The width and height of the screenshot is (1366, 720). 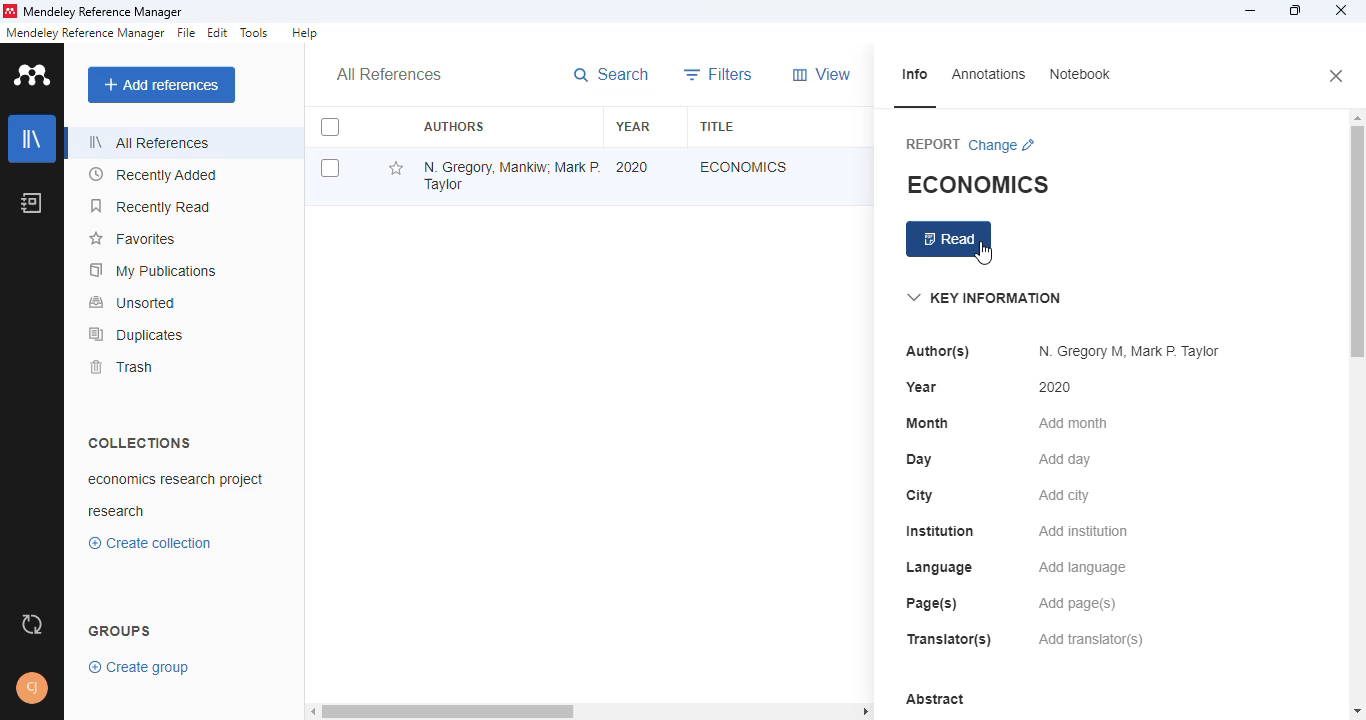 What do you see at coordinates (978, 184) in the screenshot?
I see `ECONOMICS` at bounding box center [978, 184].